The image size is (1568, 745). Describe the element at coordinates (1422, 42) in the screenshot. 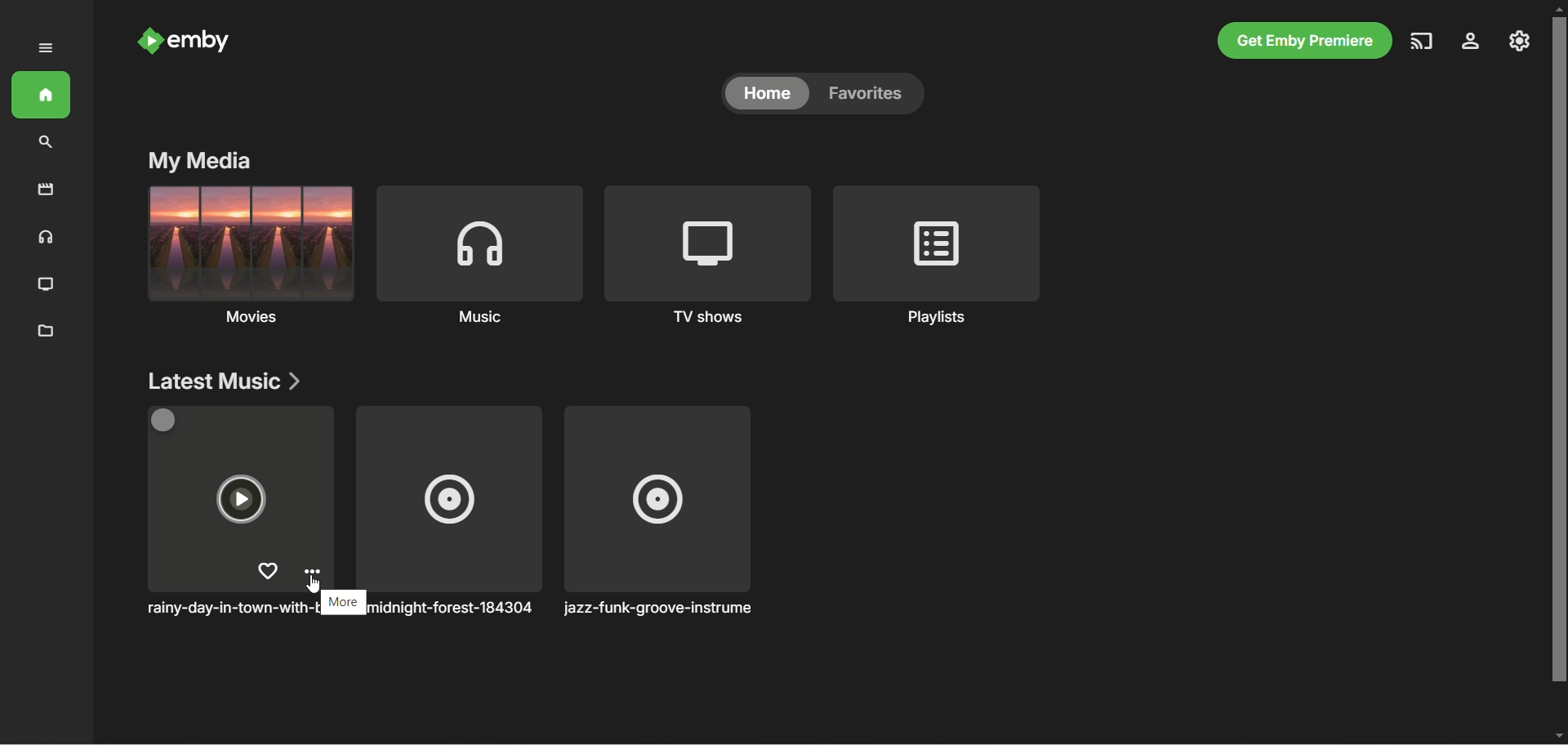

I see `play on another device` at that location.